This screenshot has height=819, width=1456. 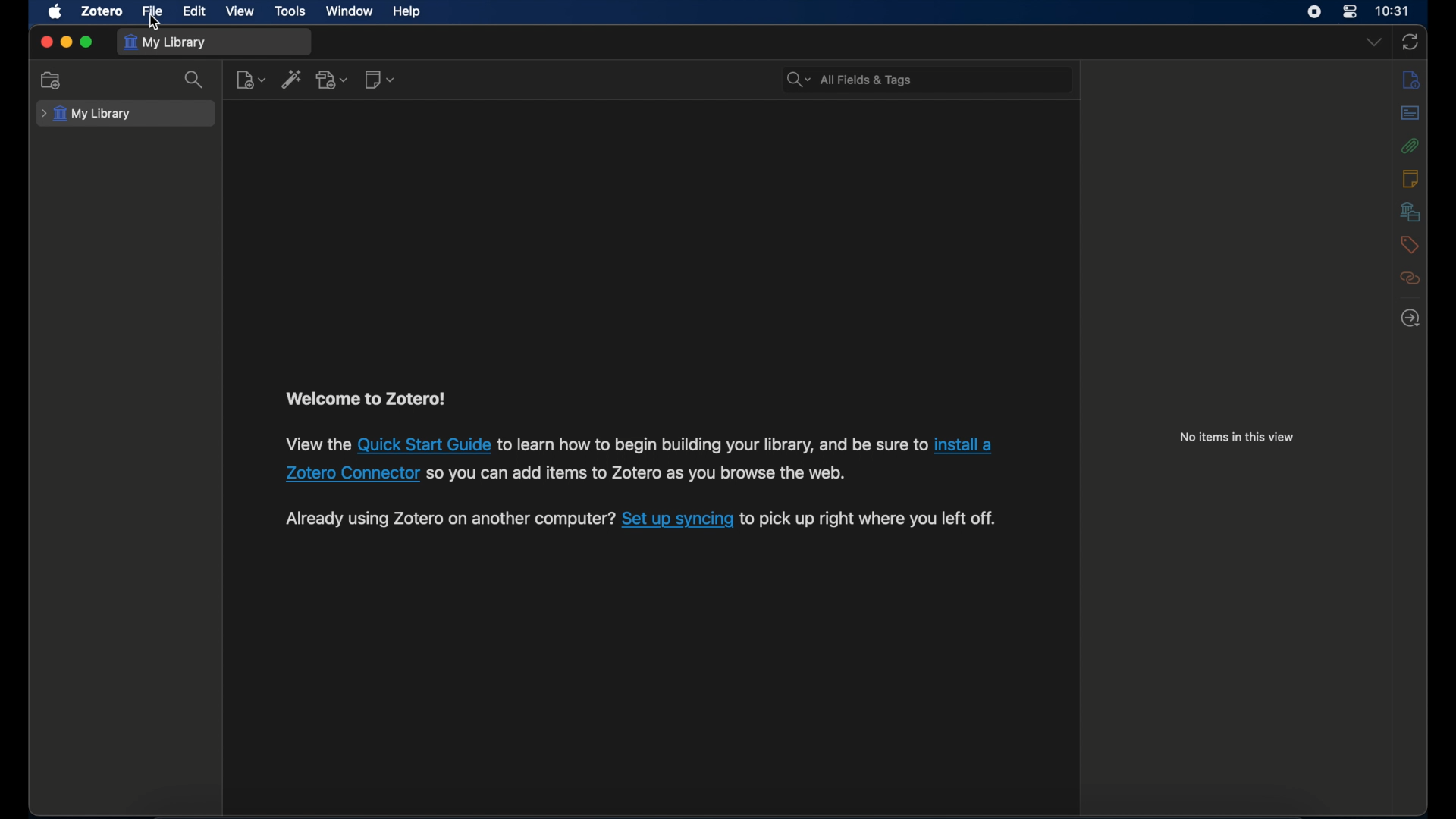 What do you see at coordinates (293, 79) in the screenshot?
I see `add item by identifier` at bounding box center [293, 79].